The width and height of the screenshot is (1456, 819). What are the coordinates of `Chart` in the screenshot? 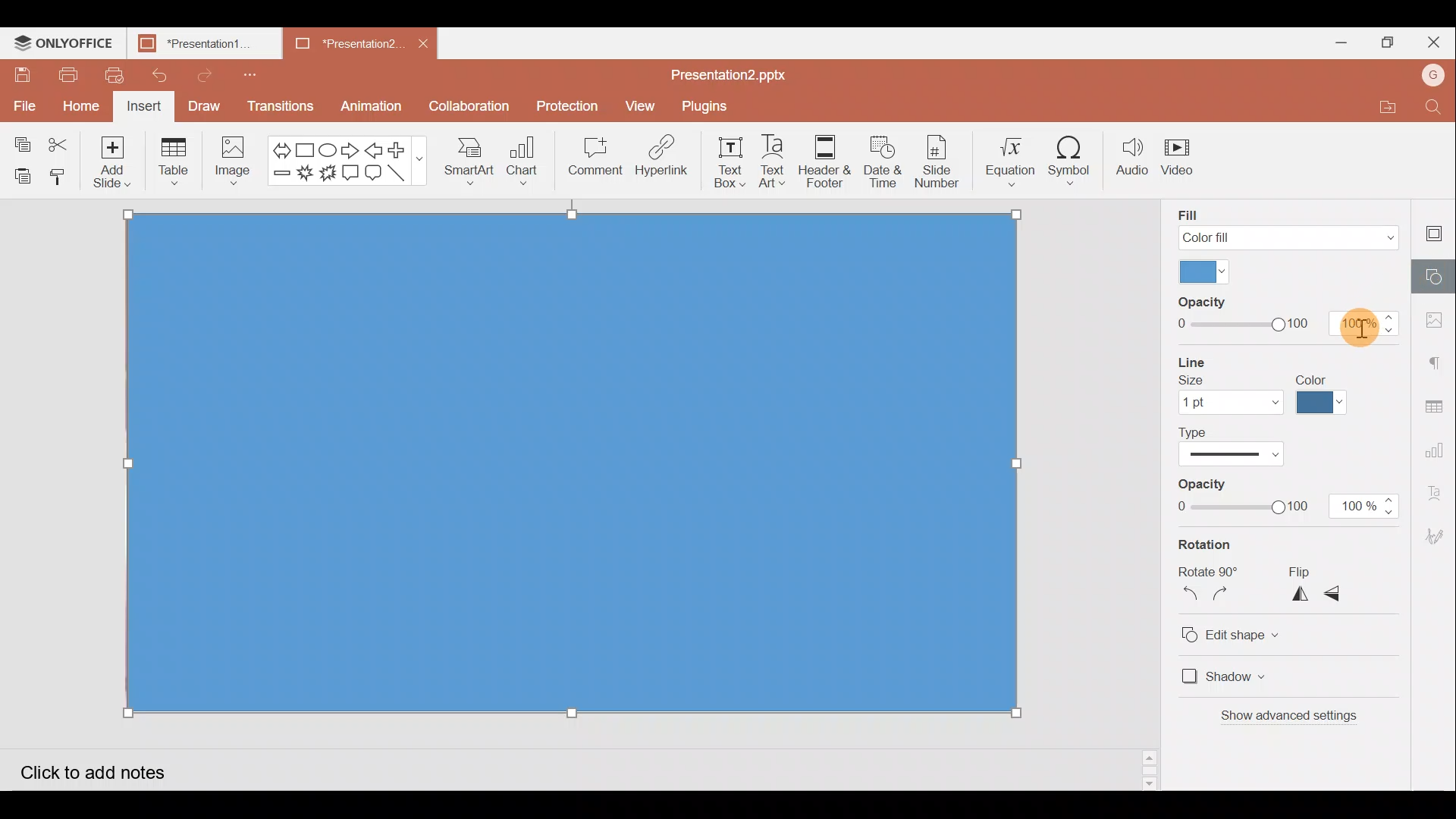 It's located at (520, 164).